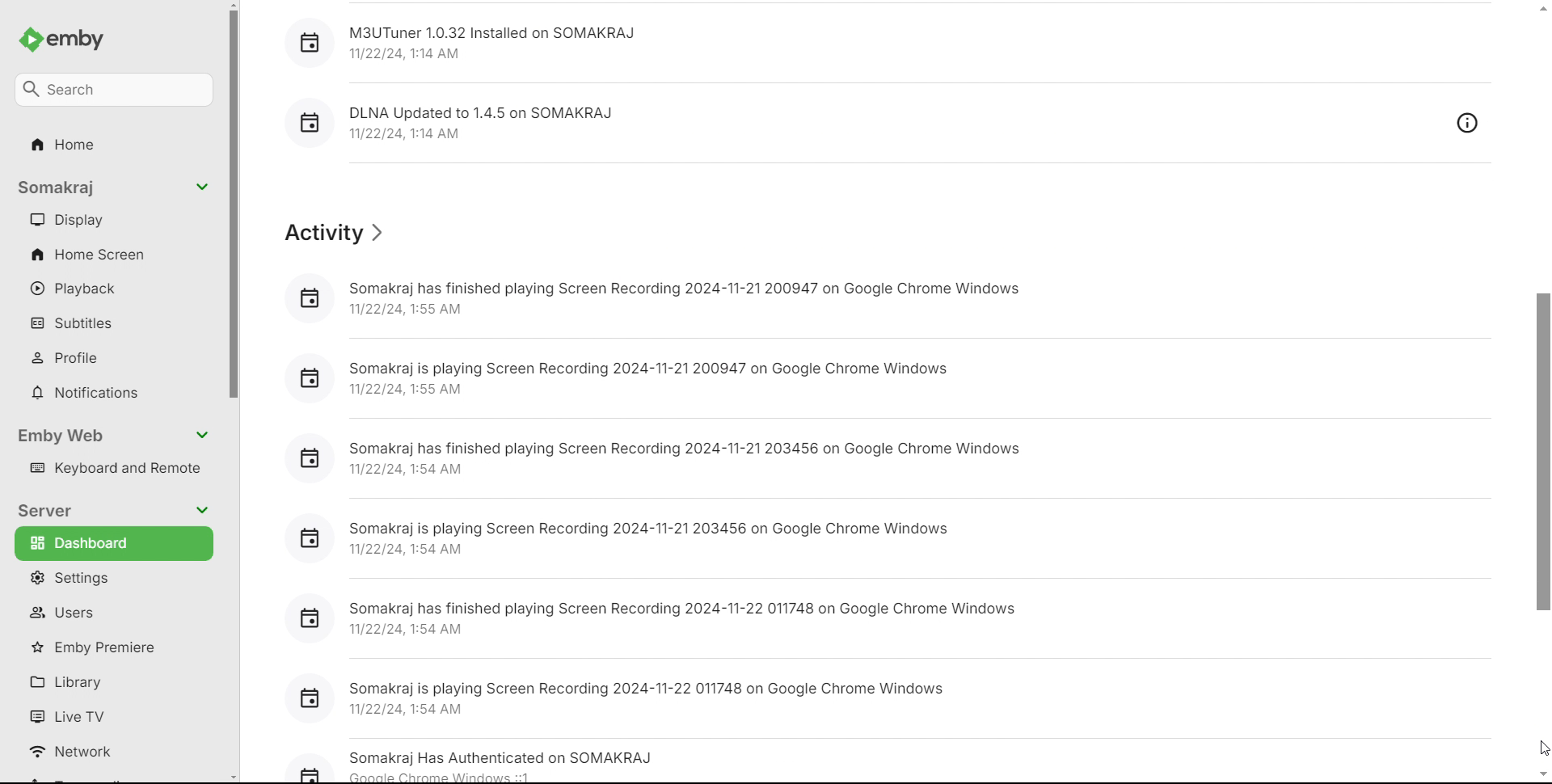  What do you see at coordinates (464, 121) in the screenshot?
I see `8 DLNA Updated to 1.4.5 on SOMAKRAJ
11/22/24,1:14 AM` at bounding box center [464, 121].